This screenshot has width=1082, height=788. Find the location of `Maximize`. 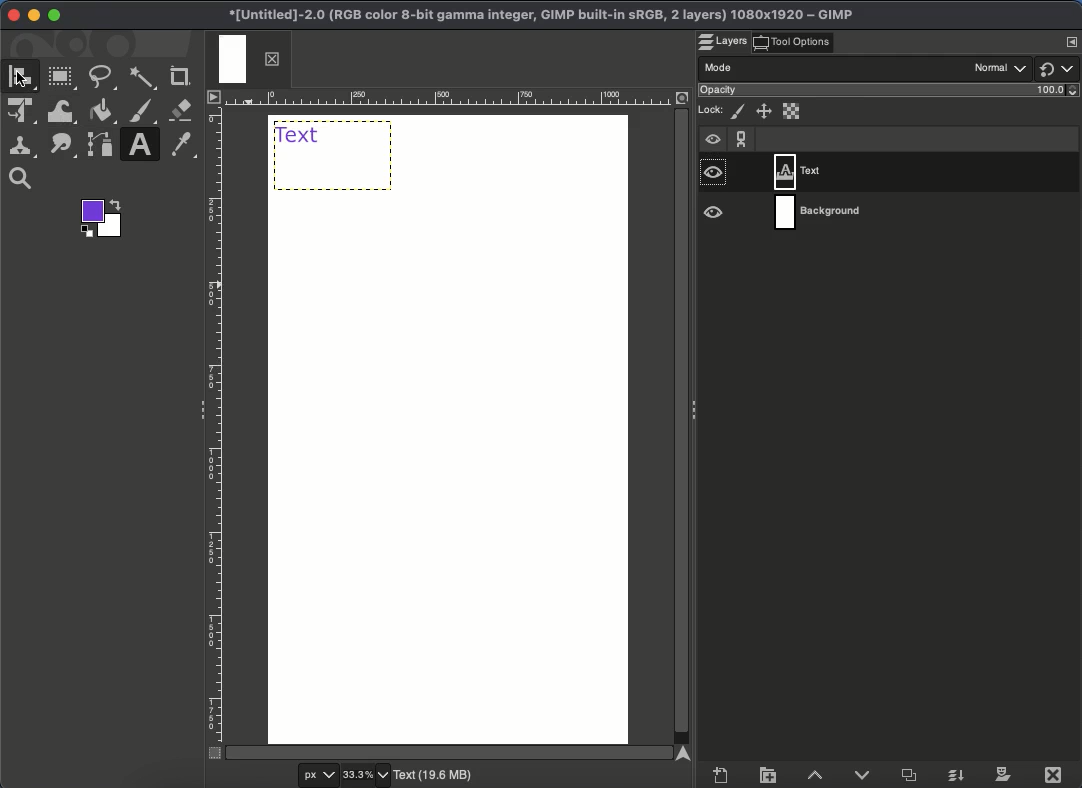

Maximize is located at coordinates (54, 16).